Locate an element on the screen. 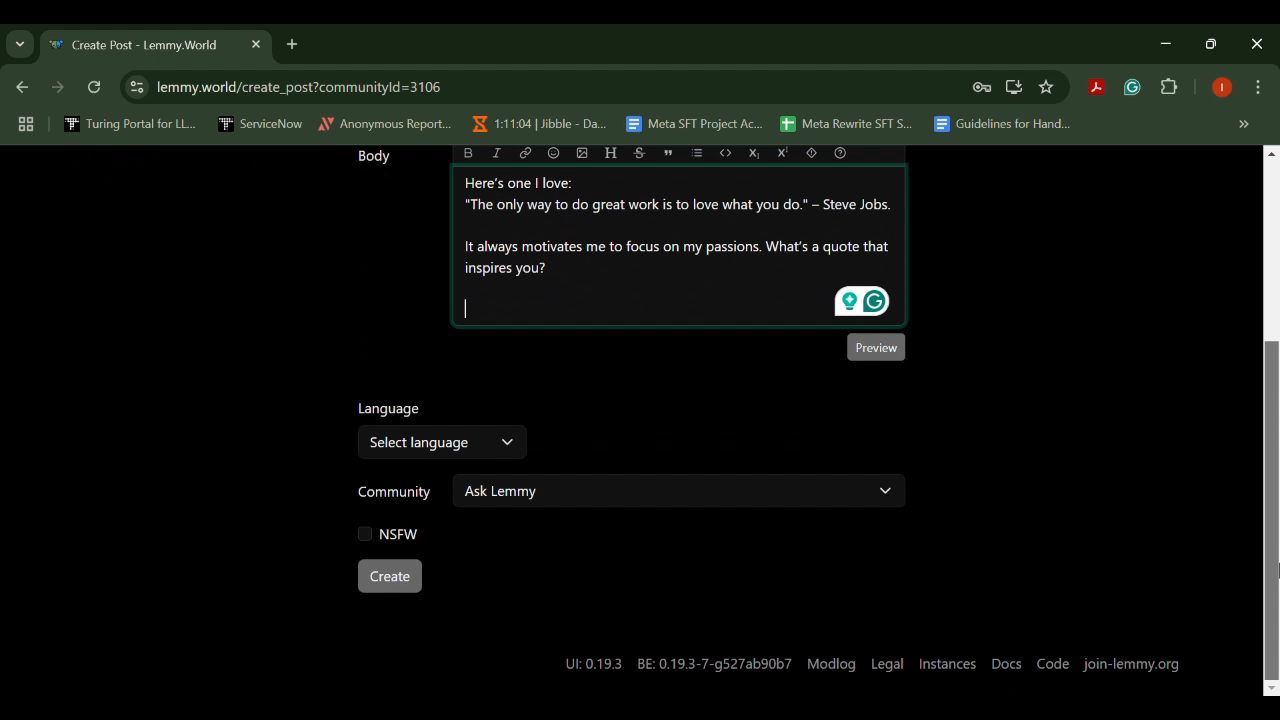  emoji is located at coordinates (554, 152).